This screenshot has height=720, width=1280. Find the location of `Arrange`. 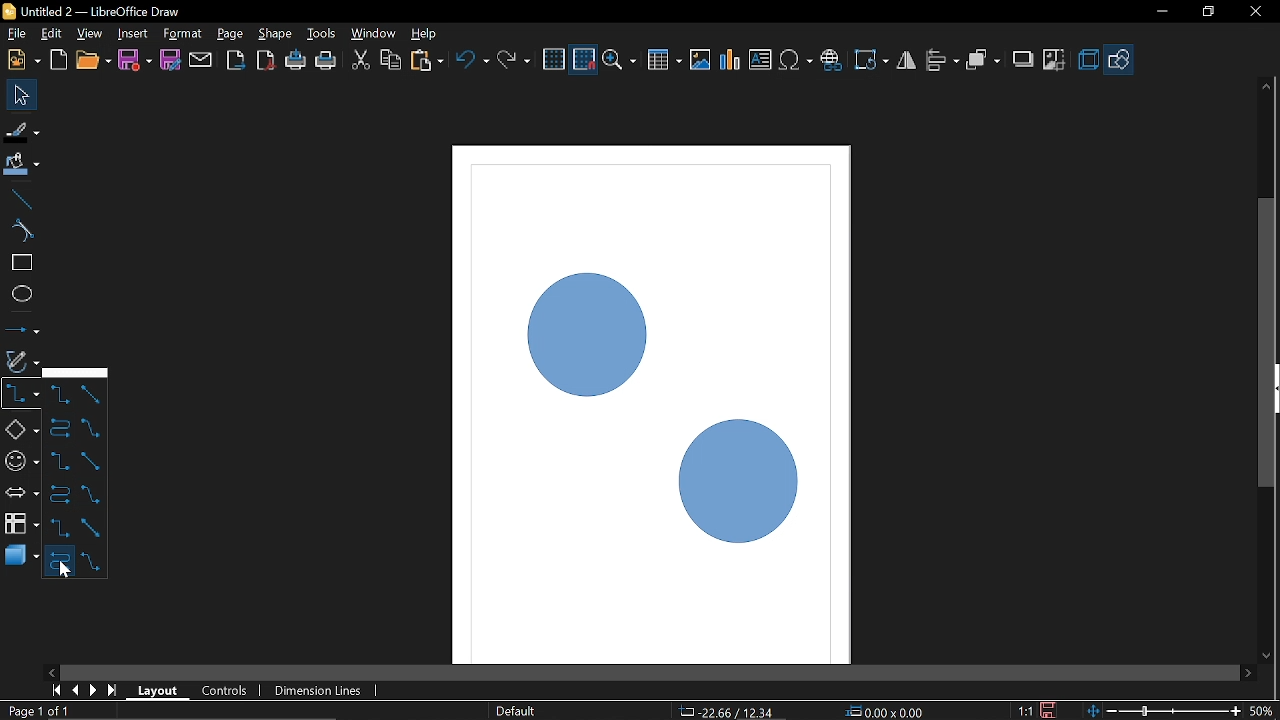

Arrange is located at coordinates (984, 61).